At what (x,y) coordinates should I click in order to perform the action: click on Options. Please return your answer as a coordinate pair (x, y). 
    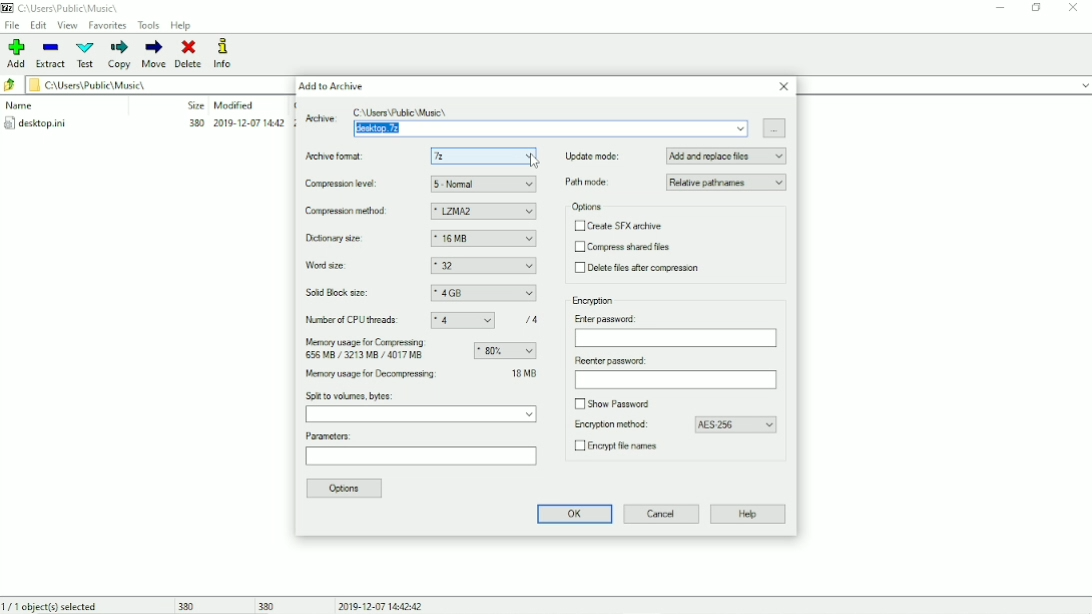
    Looking at the image, I should click on (346, 489).